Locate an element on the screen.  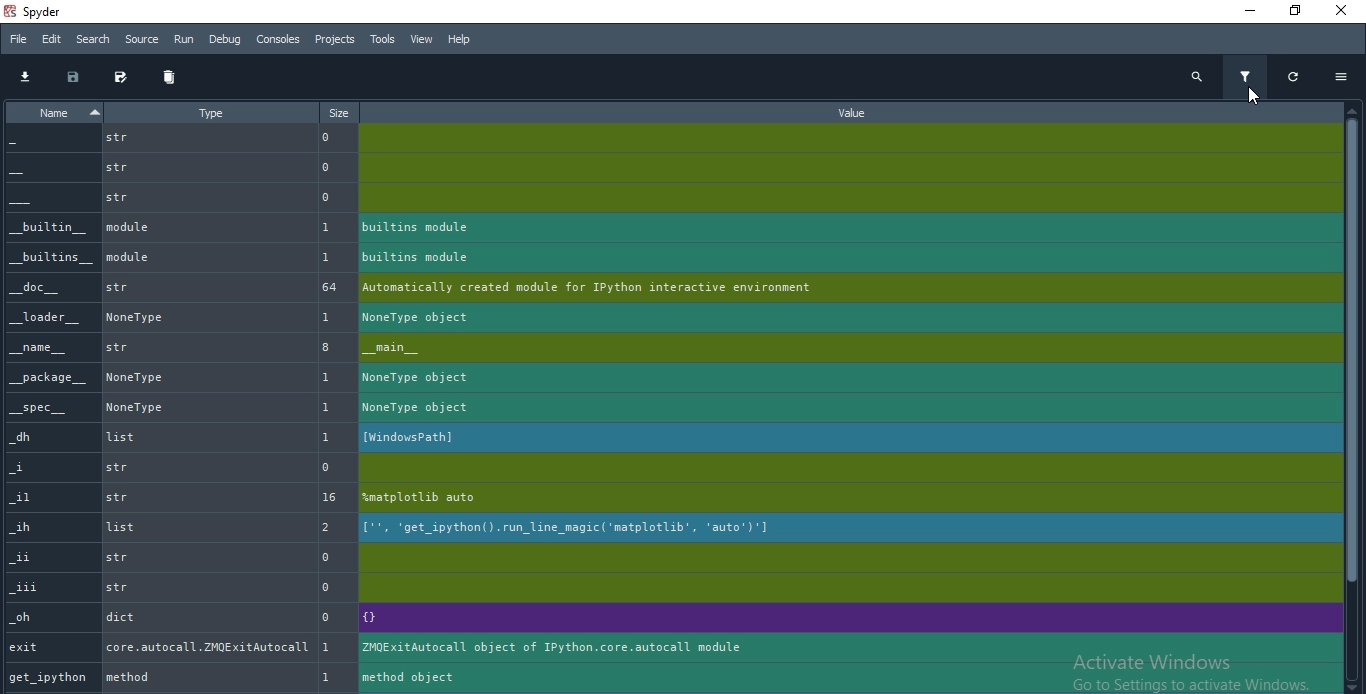
scroll bar is located at coordinates (1351, 396).